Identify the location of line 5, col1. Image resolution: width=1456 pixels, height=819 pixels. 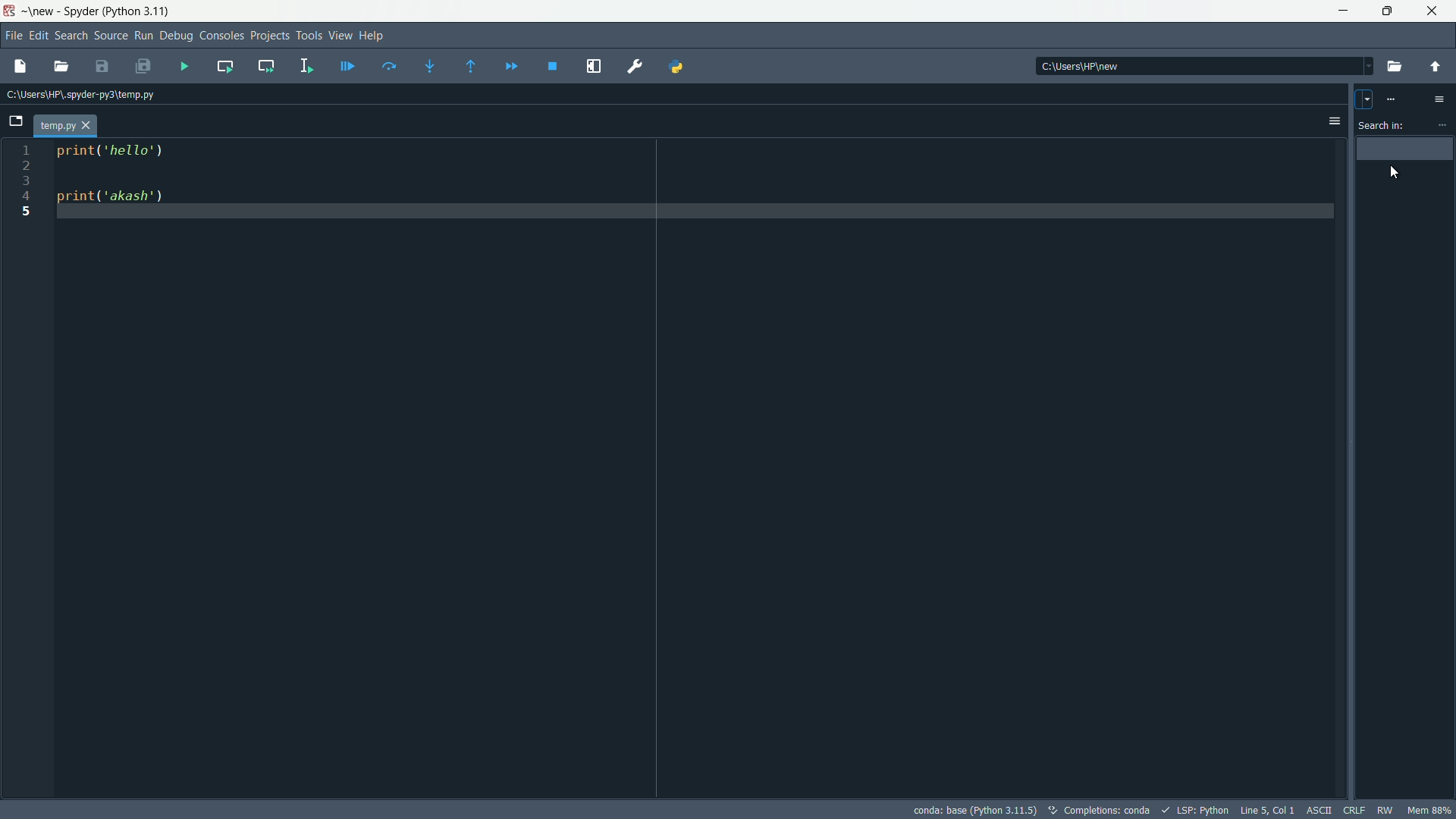
(1269, 810).